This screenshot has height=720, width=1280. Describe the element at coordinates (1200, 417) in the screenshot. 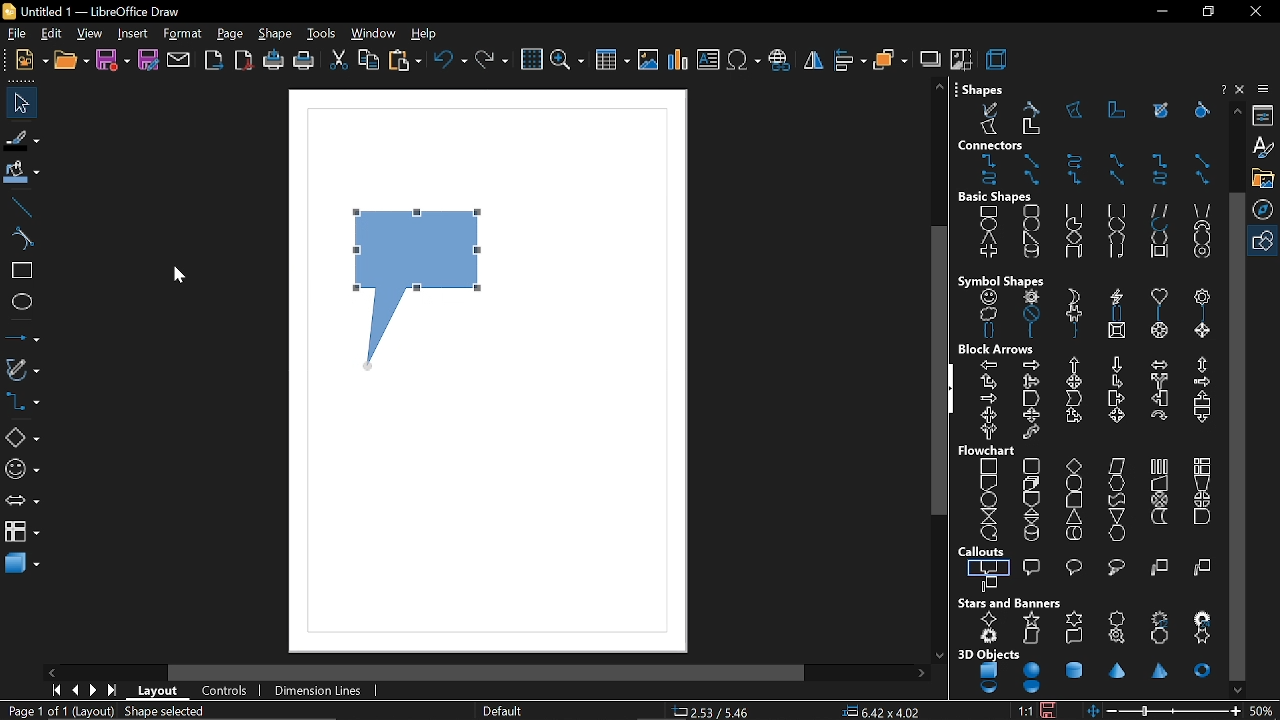

I see `down arrow callout` at that location.